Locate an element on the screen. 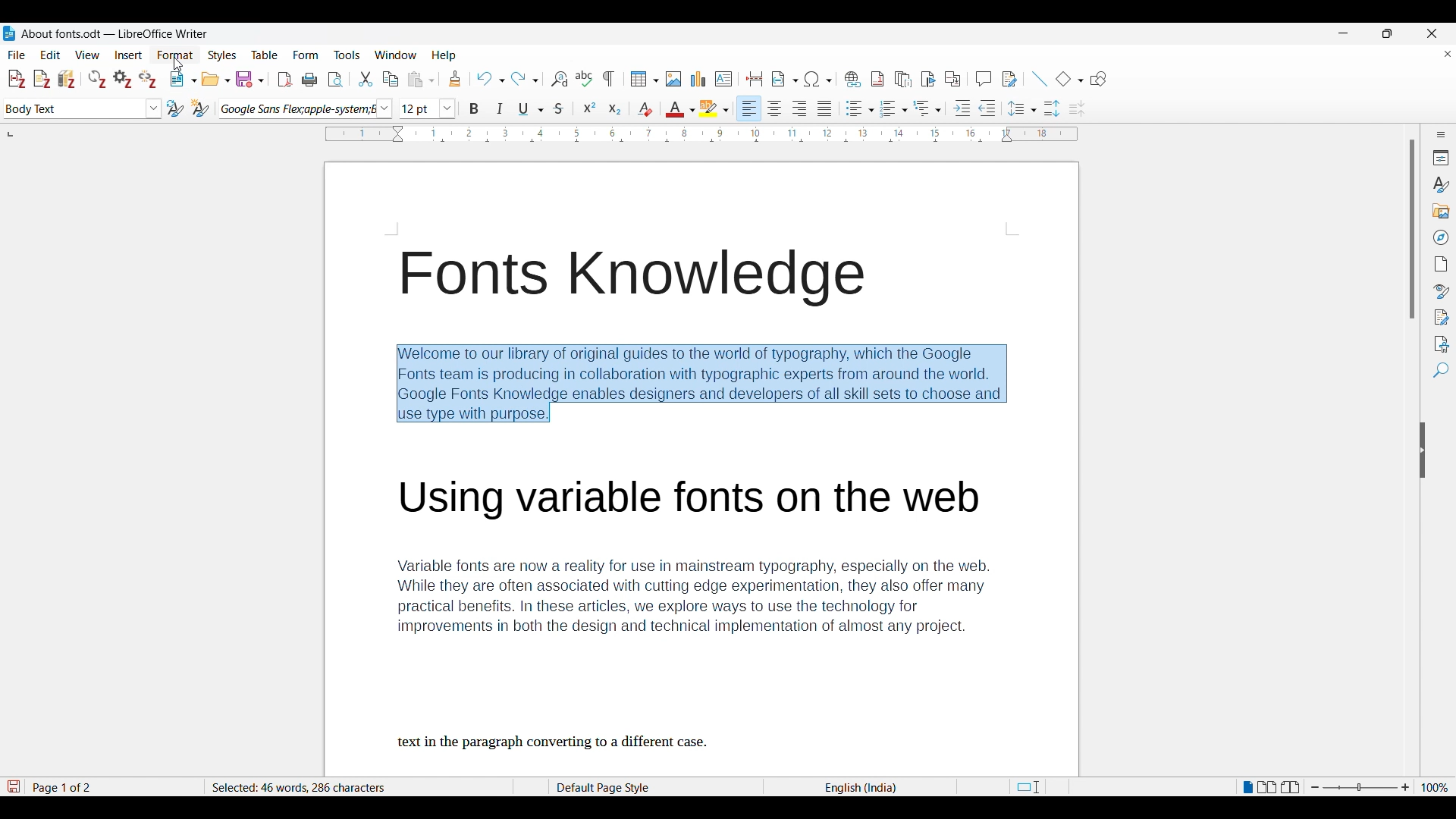 The height and width of the screenshot is (819, 1456). Insert endnote is located at coordinates (903, 80).